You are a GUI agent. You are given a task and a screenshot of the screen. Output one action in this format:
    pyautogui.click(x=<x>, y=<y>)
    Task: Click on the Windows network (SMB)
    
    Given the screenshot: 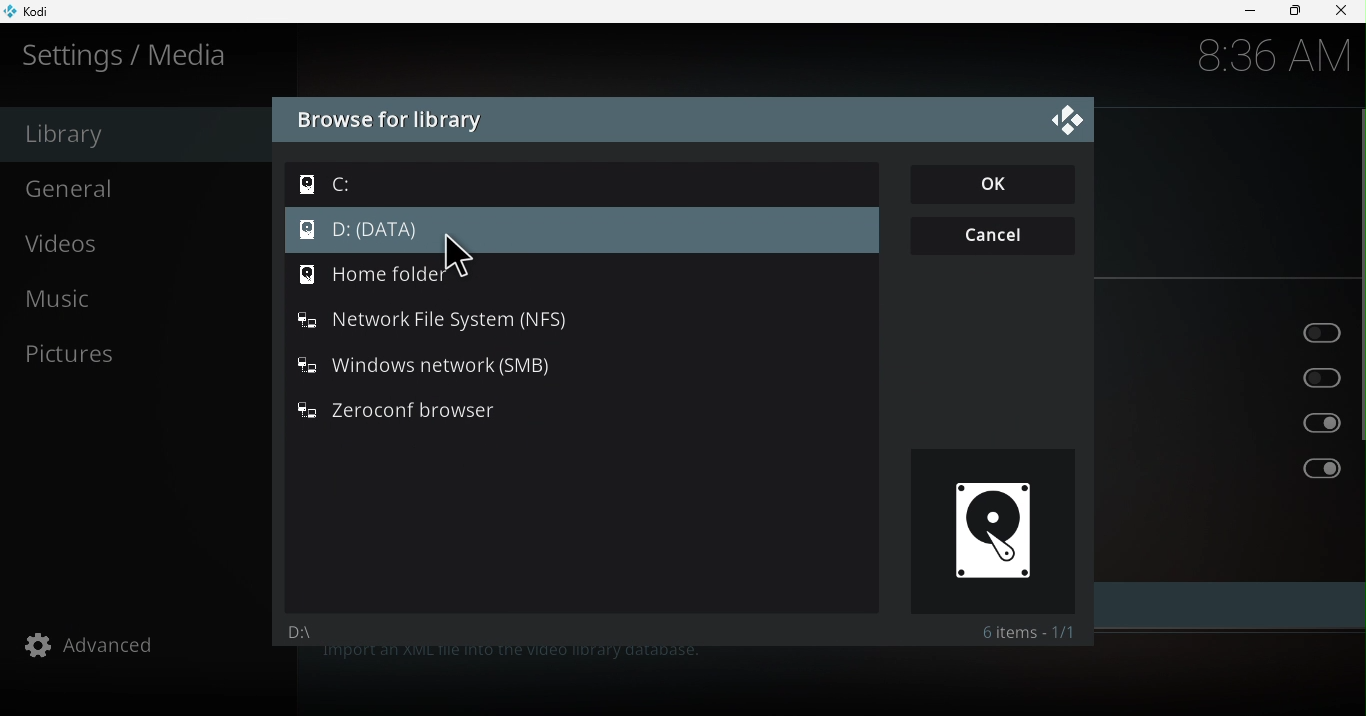 What is the action you would take?
    pyautogui.click(x=576, y=364)
    